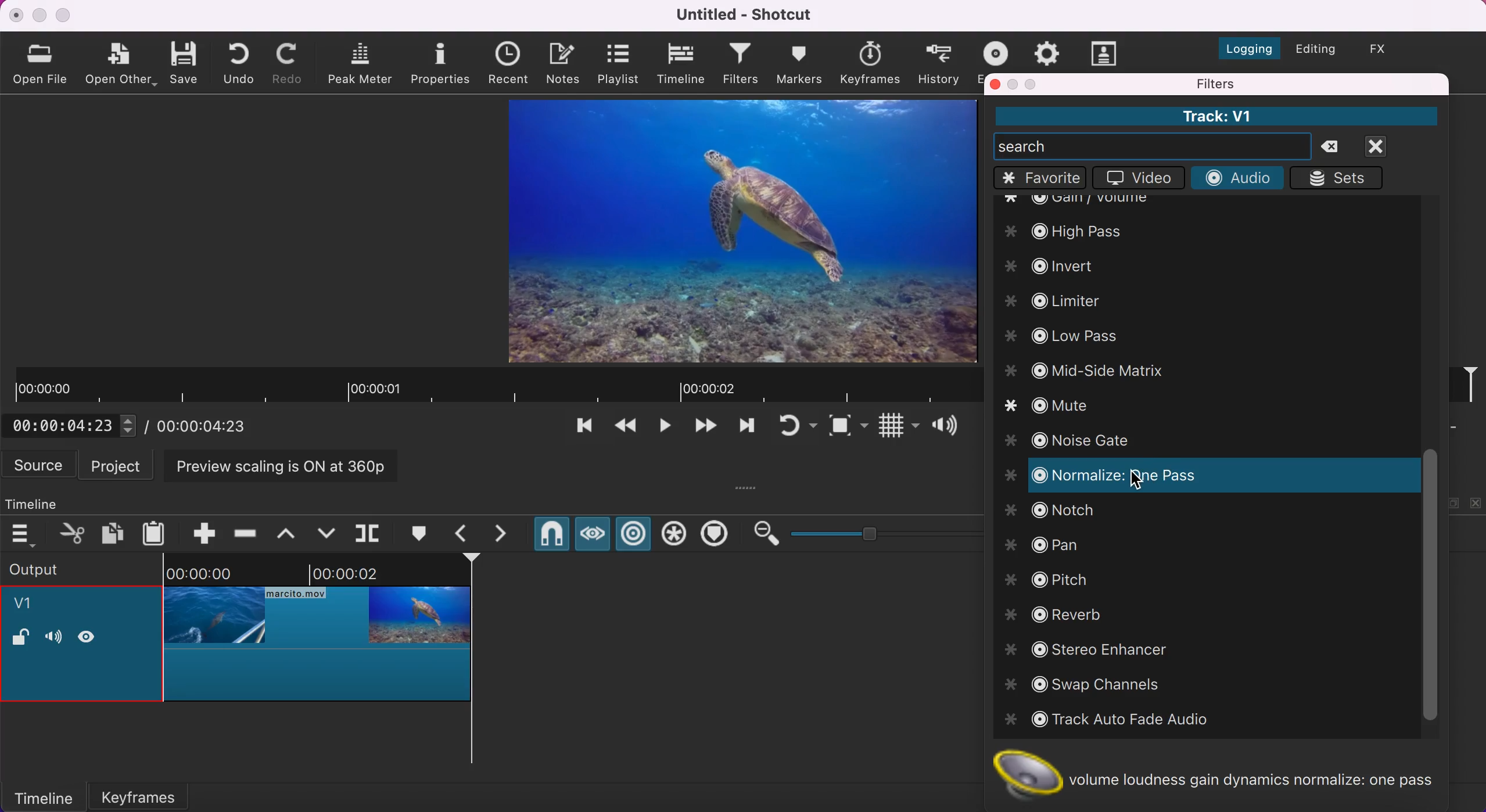 The width and height of the screenshot is (1486, 812). Describe the element at coordinates (674, 536) in the screenshot. I see `ripple all tracks` at that location.